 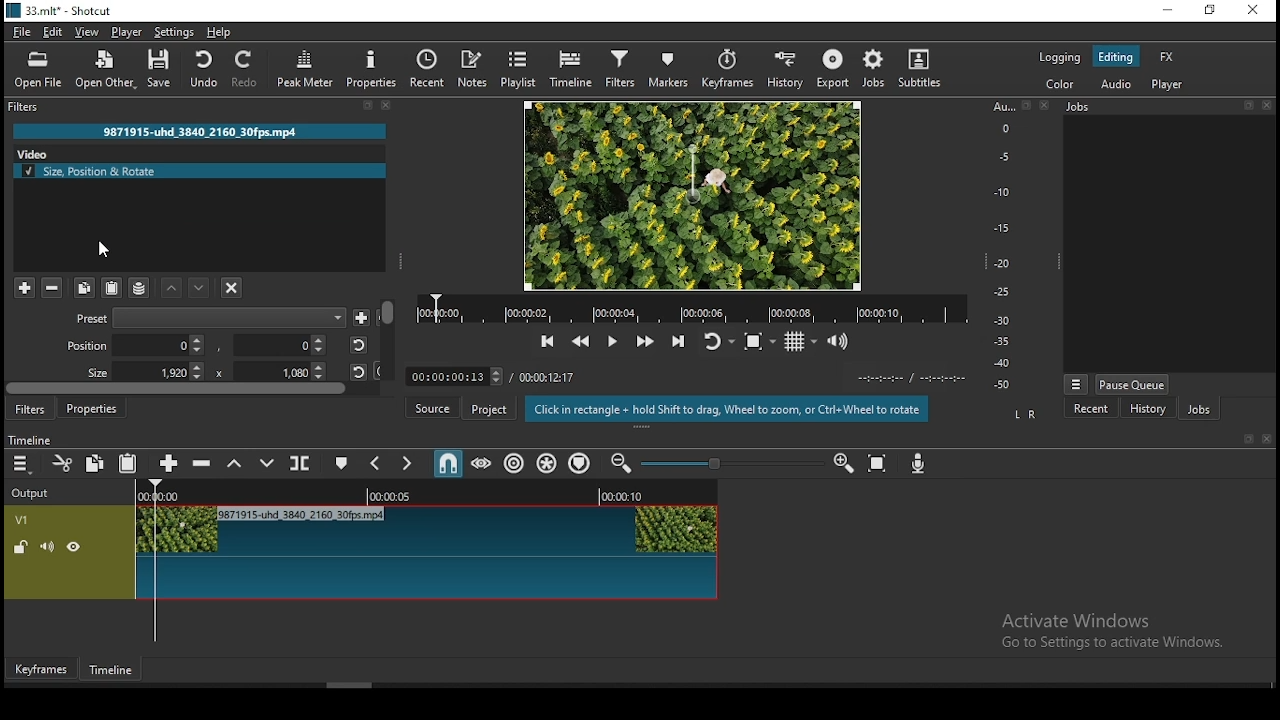 What do you see at coordinates (1249, 438) in the screenshot?
I see `resize` at bounding box center [1249, 438].